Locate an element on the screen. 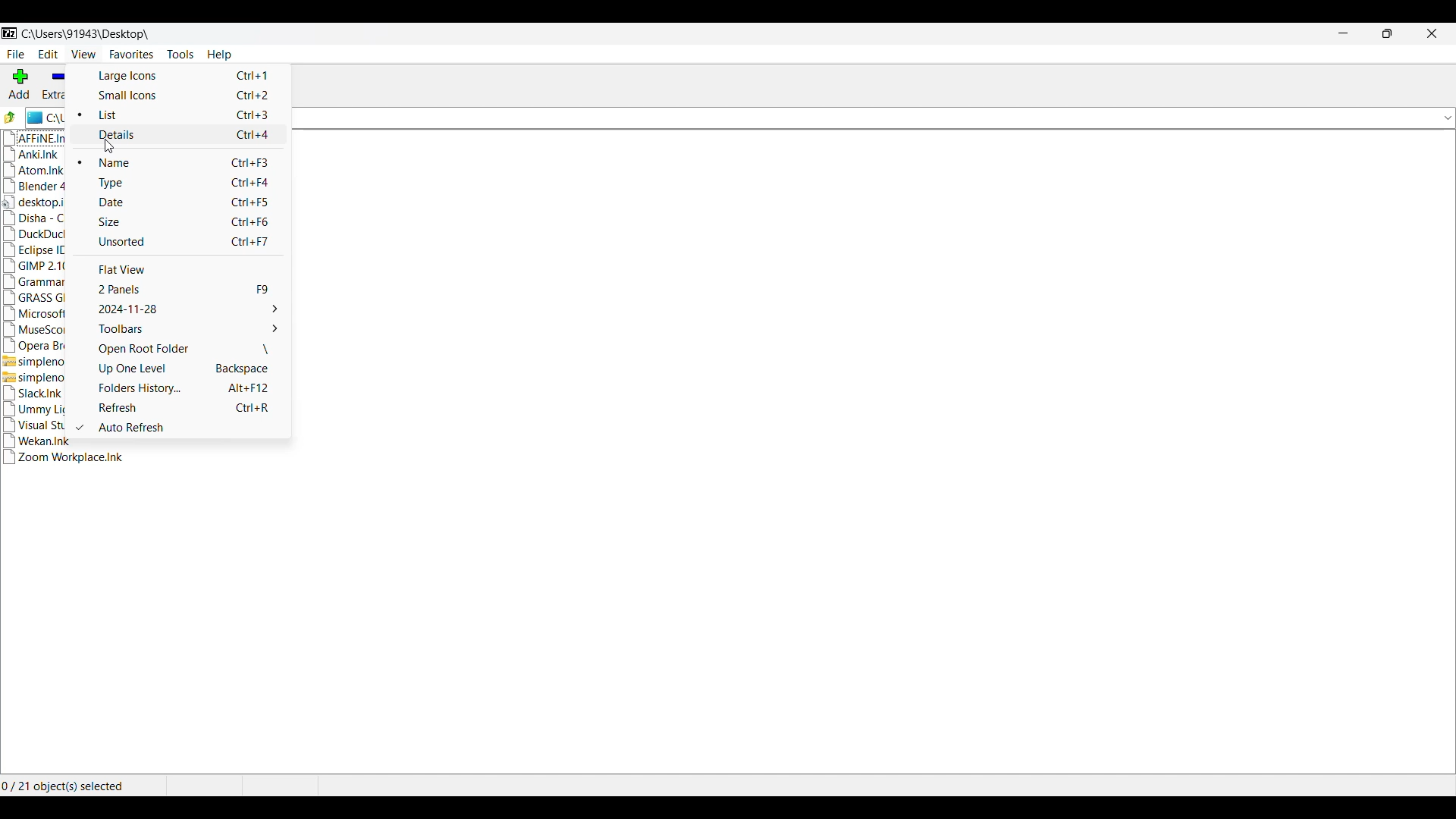 The height and width of the screenshot is (819, 1456). 0 / 21 object(s) selected is located at coordinates (68, 786).